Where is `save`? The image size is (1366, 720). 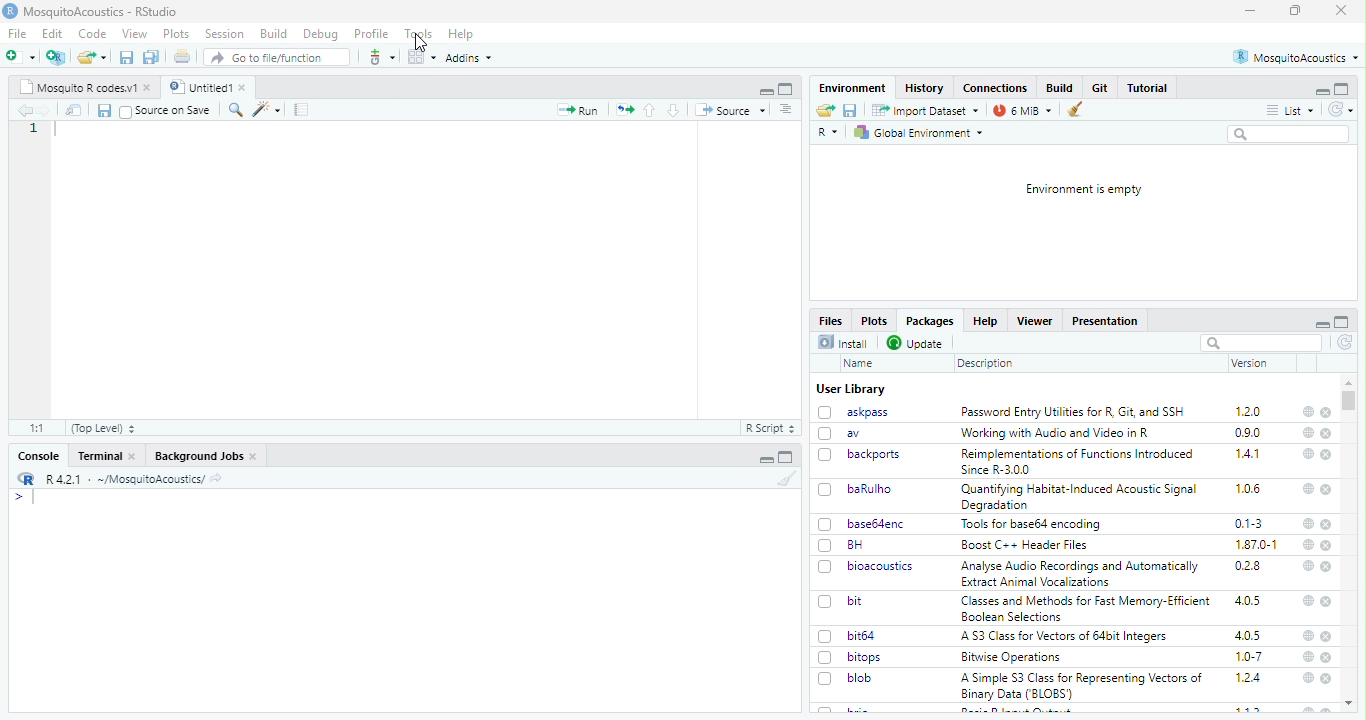
save is located at coordinates (104, 111).